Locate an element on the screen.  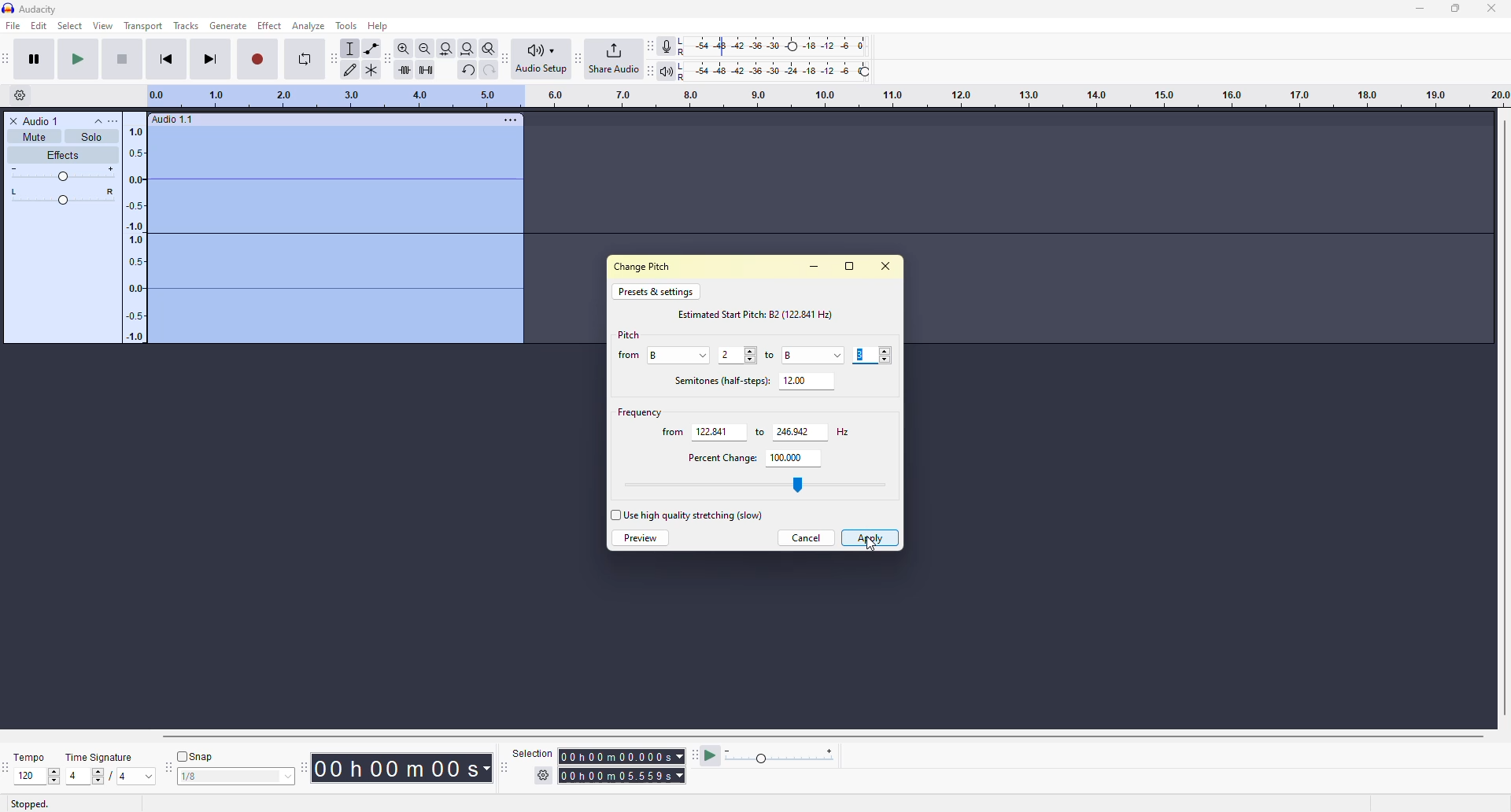
apply is located at coordinates (870, 537).